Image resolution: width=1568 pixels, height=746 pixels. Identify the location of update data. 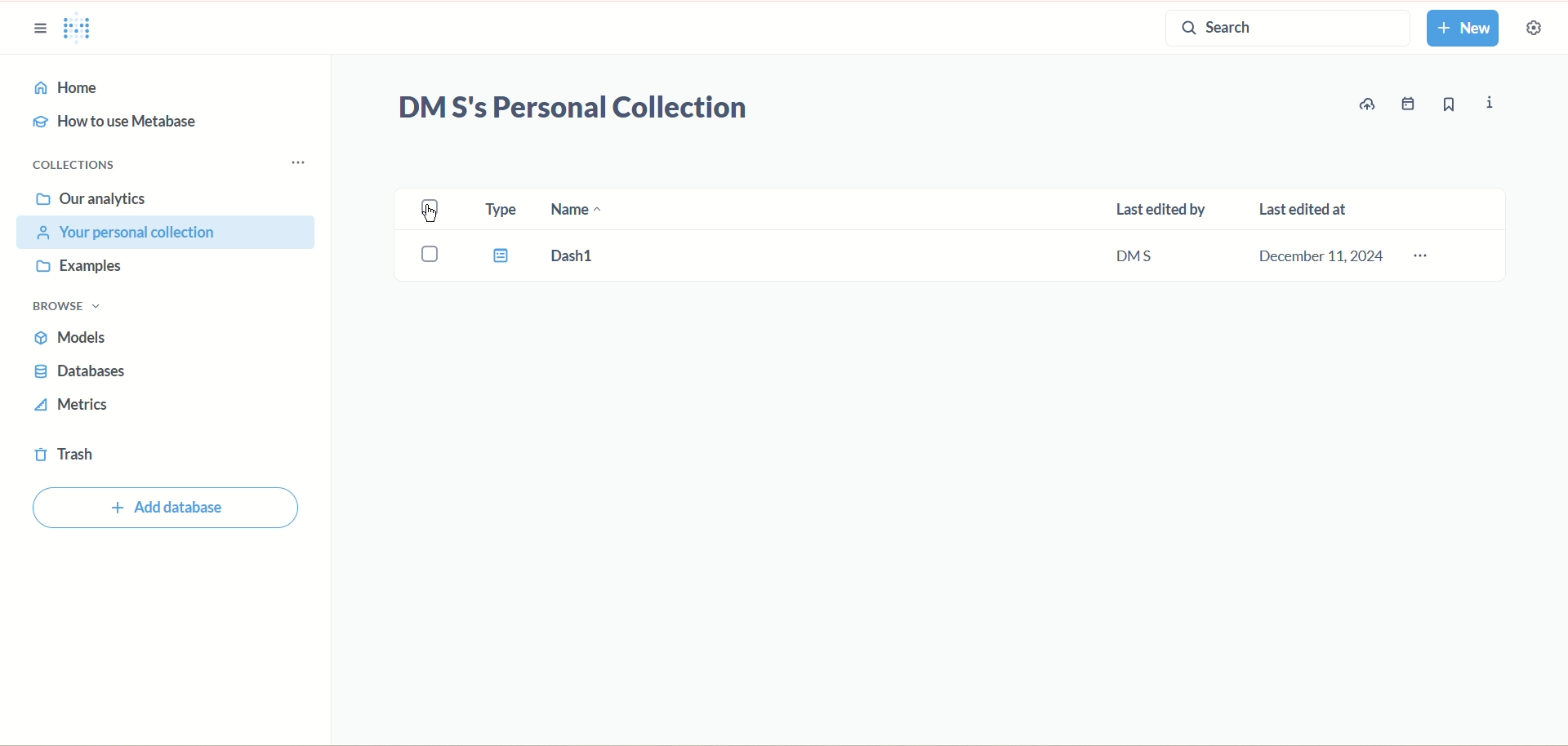
(1371, 104).